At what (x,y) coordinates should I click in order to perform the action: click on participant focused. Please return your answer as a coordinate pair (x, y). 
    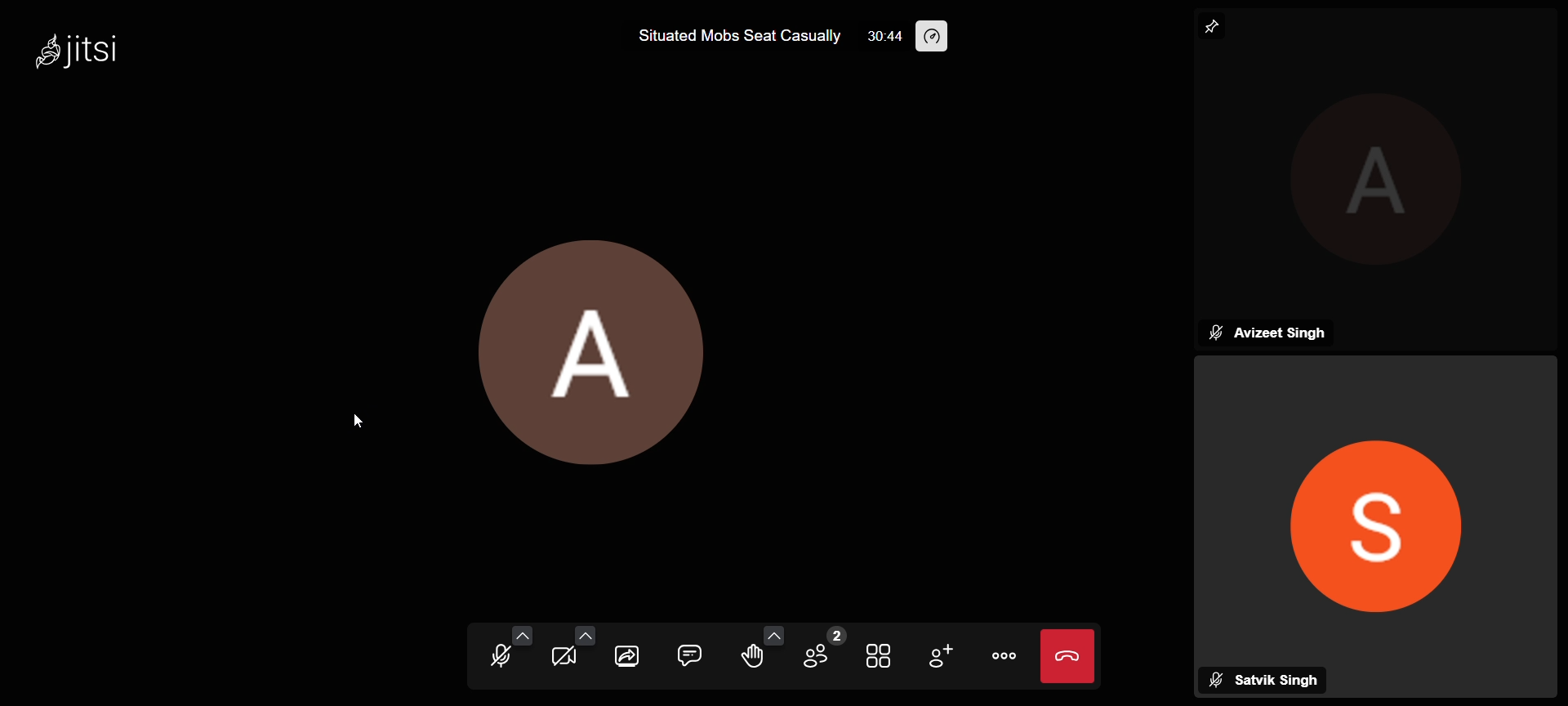
    Looking at the image, I should click on (1374, 510).